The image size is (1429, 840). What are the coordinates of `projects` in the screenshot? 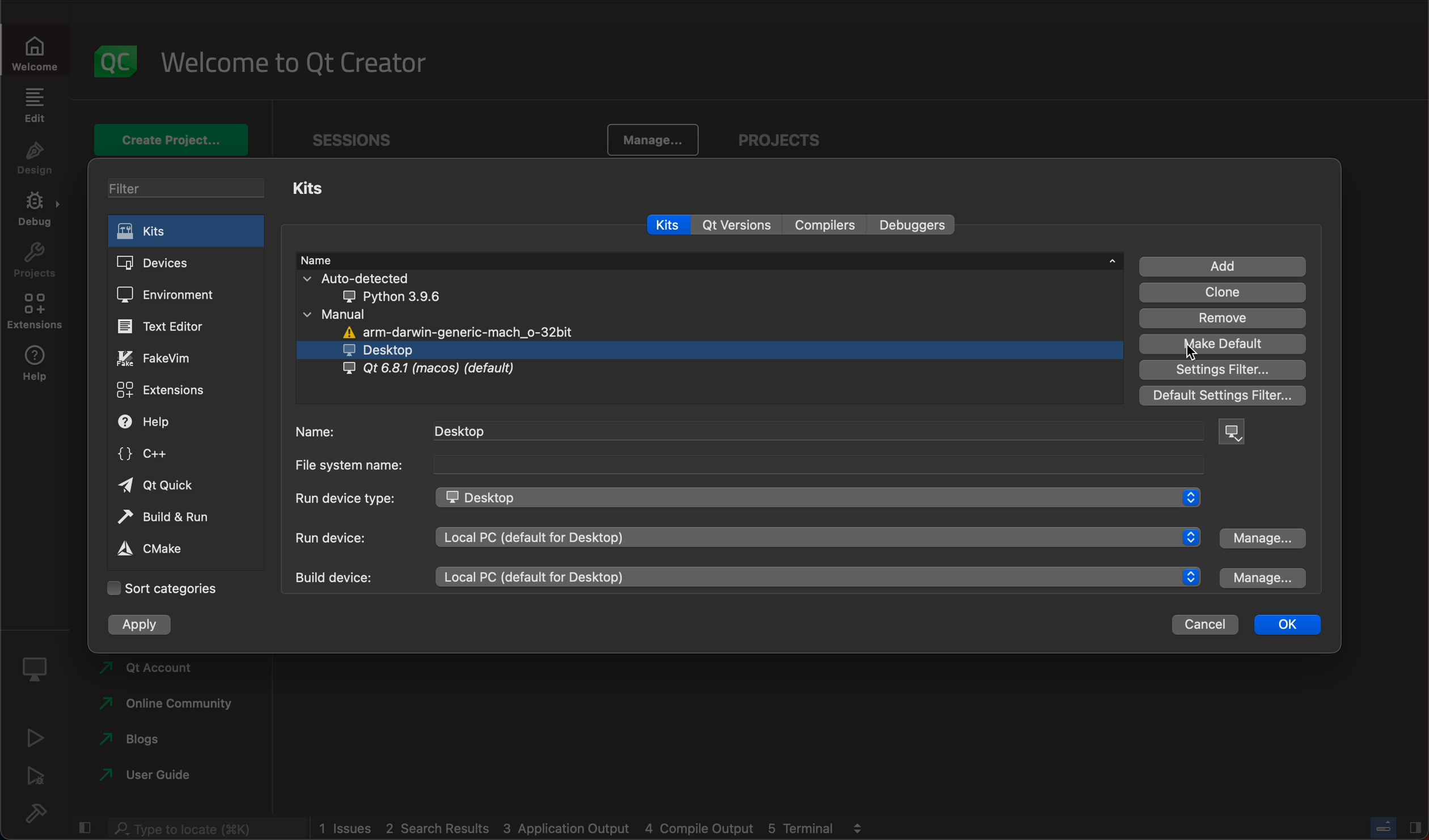 It's located at (787, 134).